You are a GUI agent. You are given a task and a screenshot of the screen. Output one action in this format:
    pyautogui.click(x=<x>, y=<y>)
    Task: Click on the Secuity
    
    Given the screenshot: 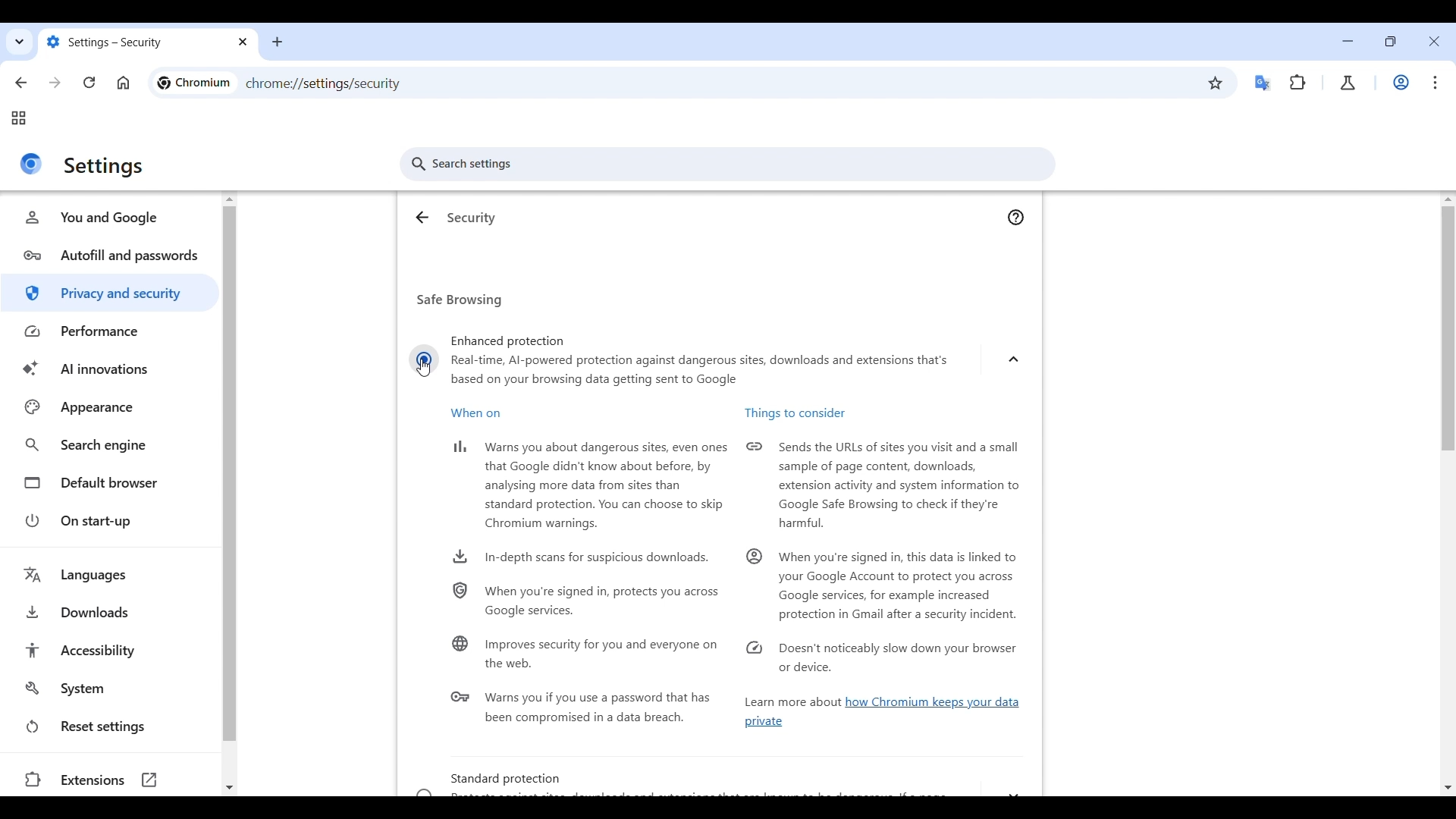 What is the action you would take?
    pyautogui.click(x=472, y=218)
    